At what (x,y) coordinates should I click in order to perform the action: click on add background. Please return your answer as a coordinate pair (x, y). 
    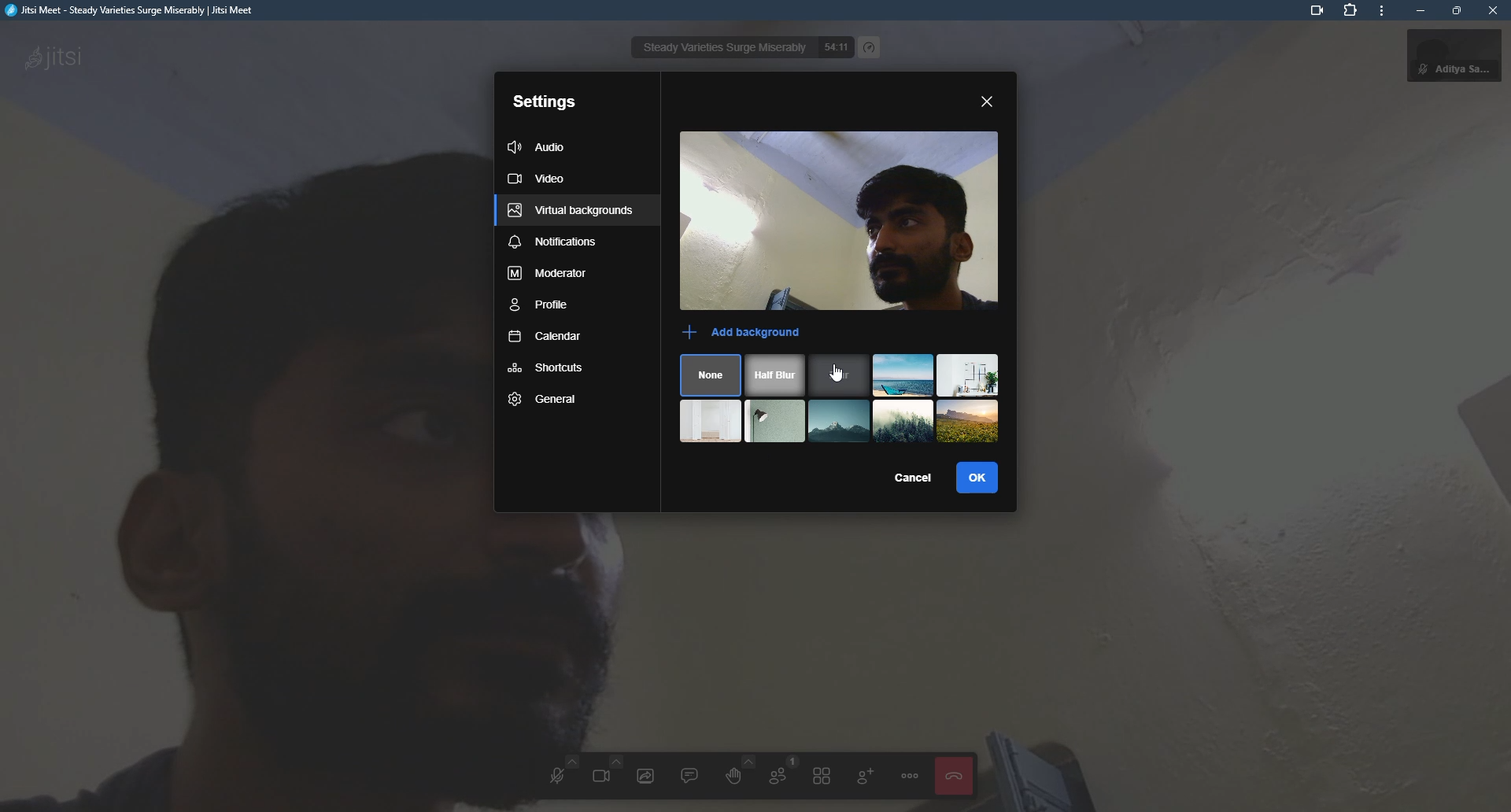
    Looking at the image, I should click on (744, 334).